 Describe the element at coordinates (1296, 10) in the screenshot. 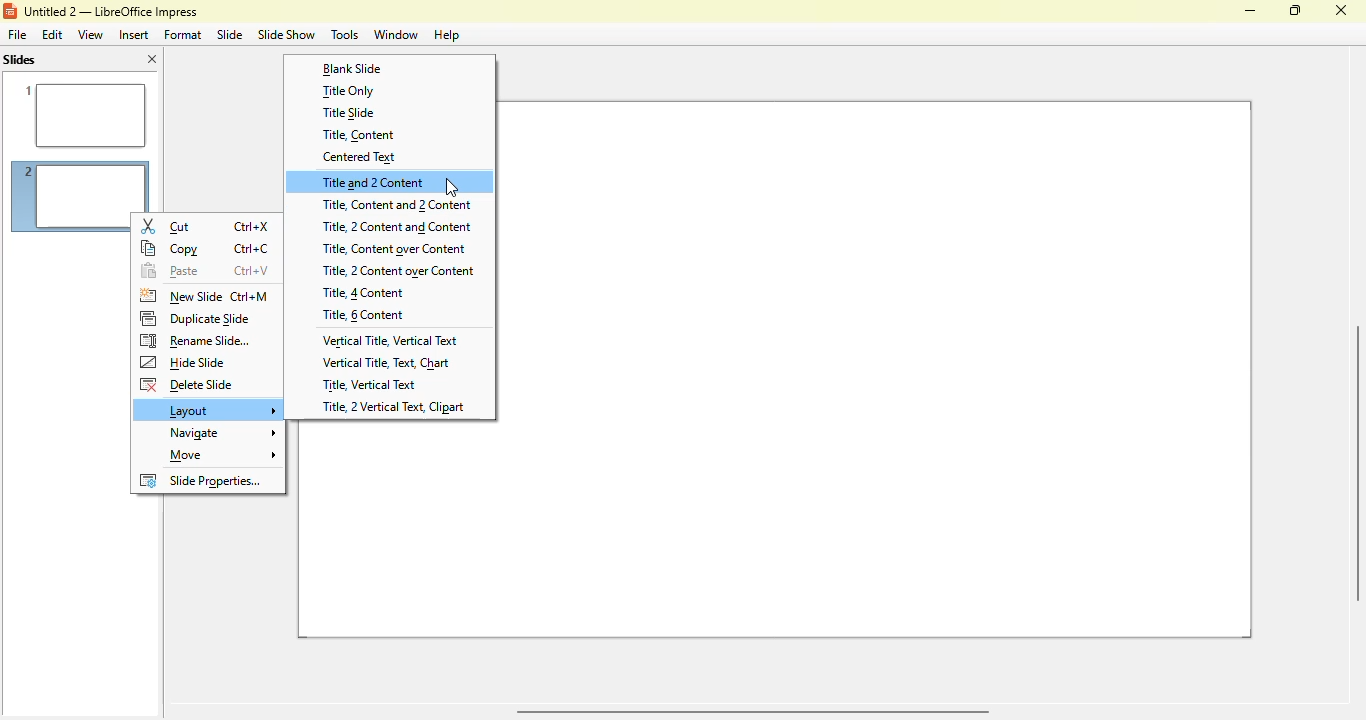

I see `maximize` at that location.